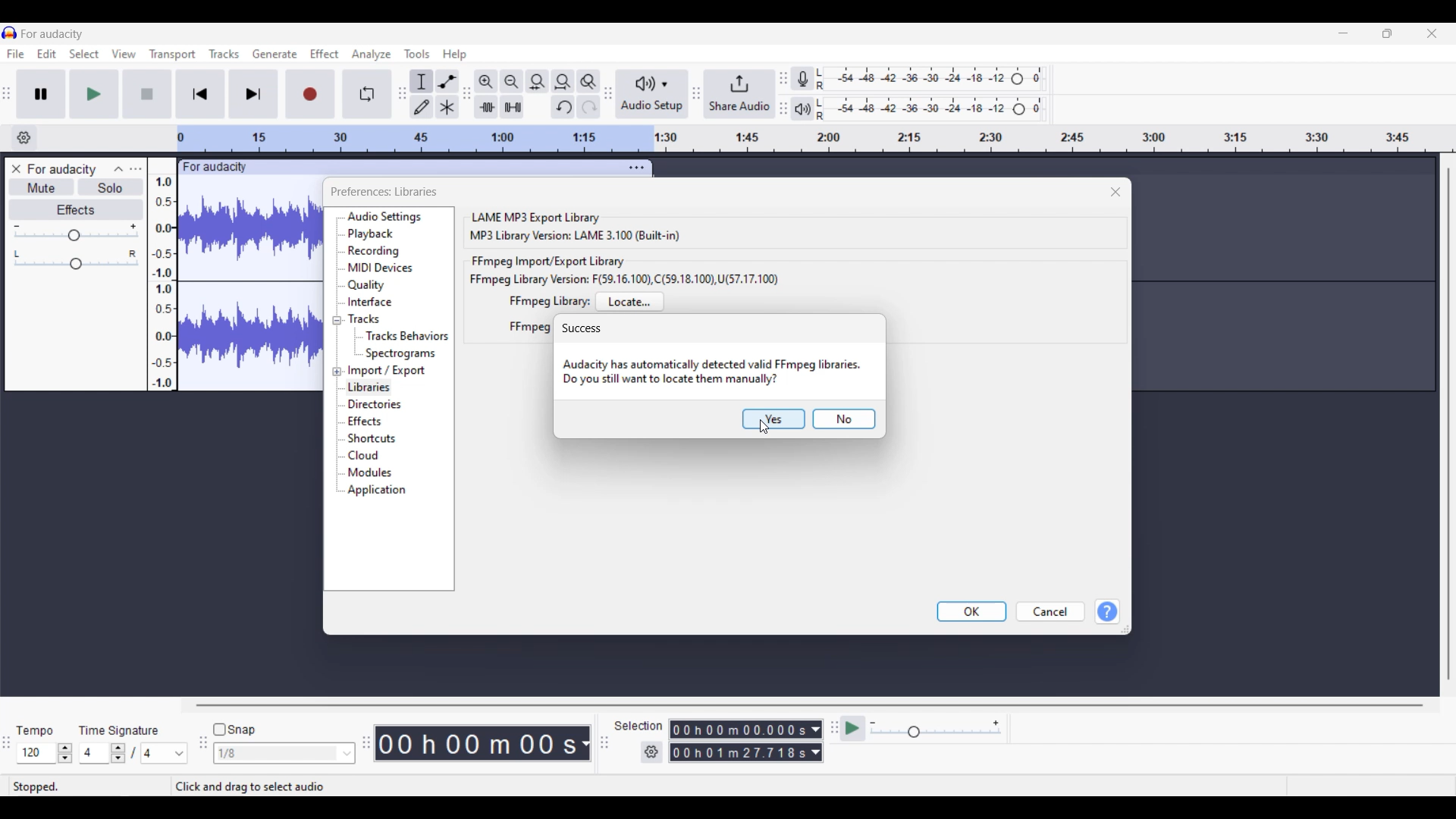  What do you see at coordinates (367, 94) in the screenshot?
I see `Enable looping` at bounding box center [367, 94].